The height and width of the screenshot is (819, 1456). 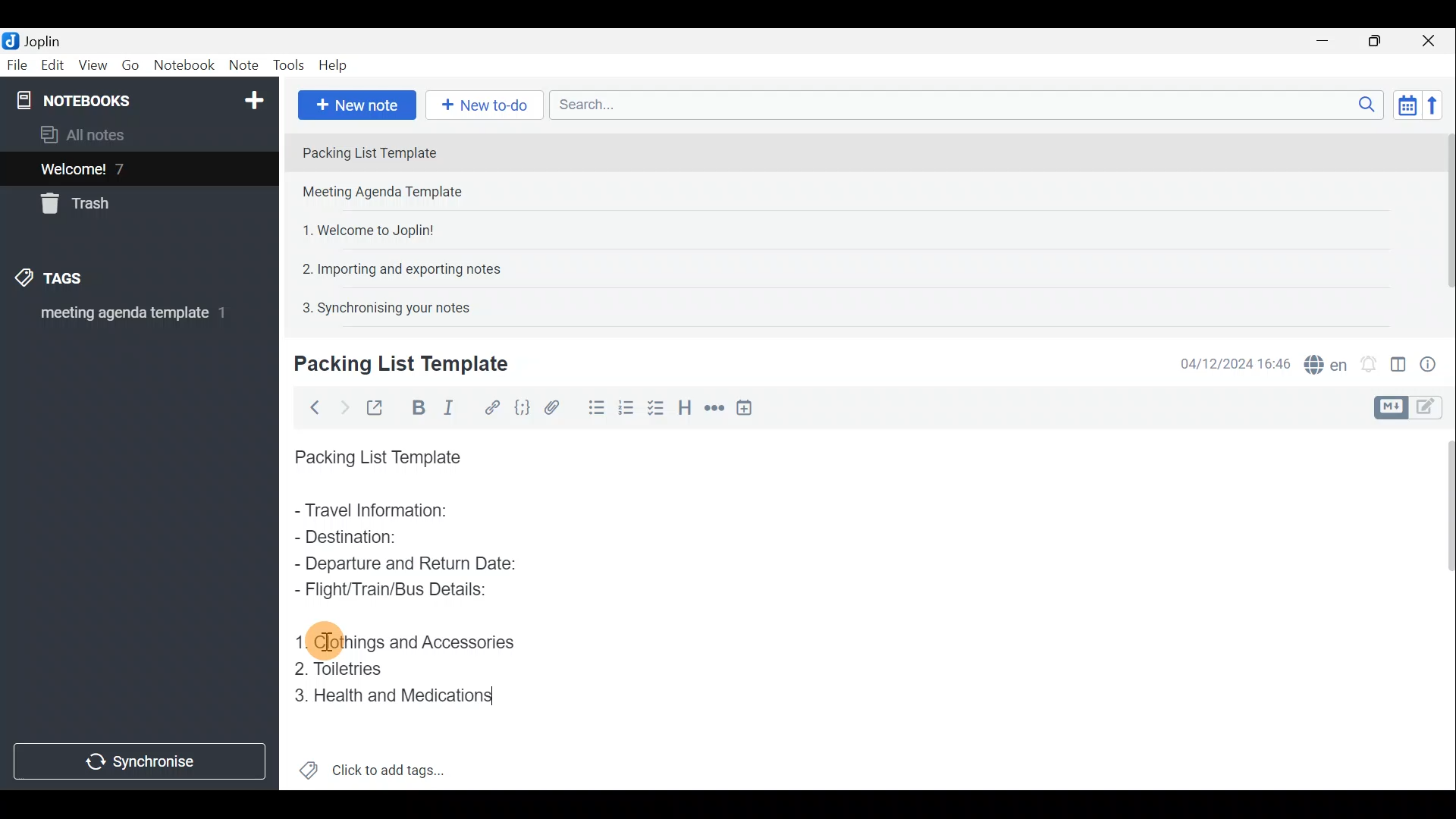 What do you see at coordinates (1442, 221) in the screenshot?
I see `Scroll bar` at bounding box center [1442, 221].